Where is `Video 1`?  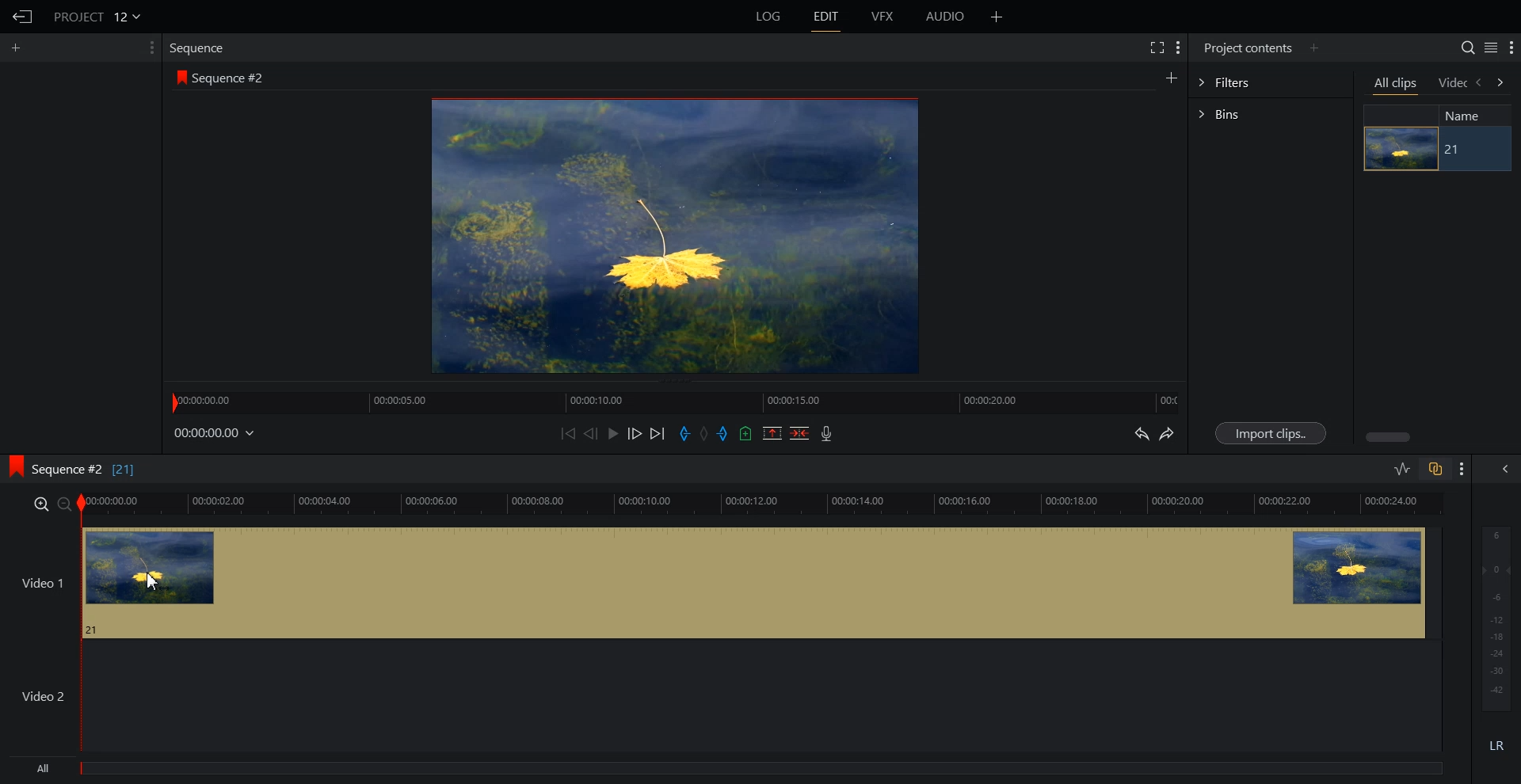
Video 1 is located at coordinates (723, 583).